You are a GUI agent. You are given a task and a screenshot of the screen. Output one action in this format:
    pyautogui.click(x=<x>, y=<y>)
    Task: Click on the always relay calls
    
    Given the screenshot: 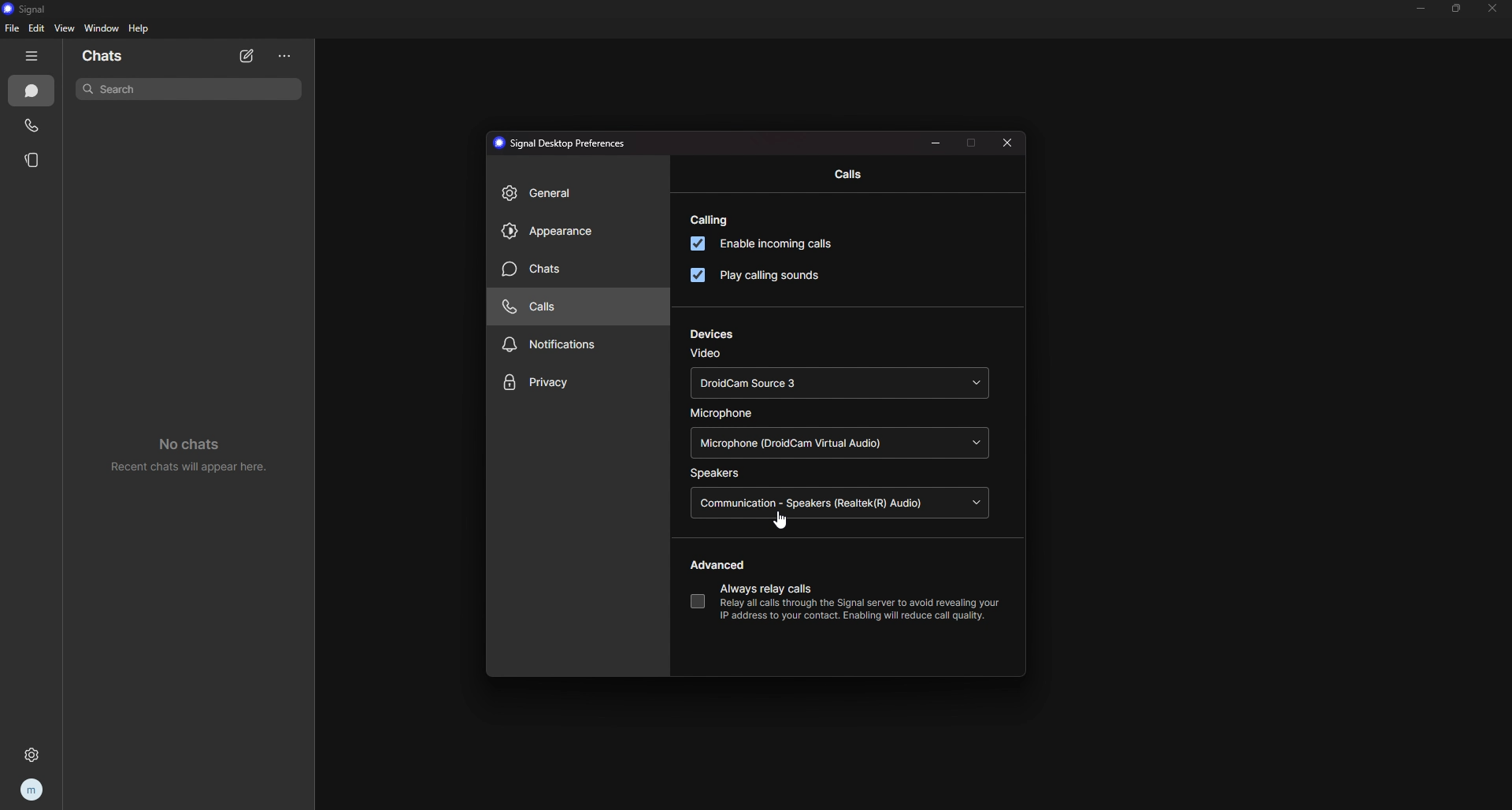 What is the action you would take?
    pyautogui.click(x=698, y=601)
    